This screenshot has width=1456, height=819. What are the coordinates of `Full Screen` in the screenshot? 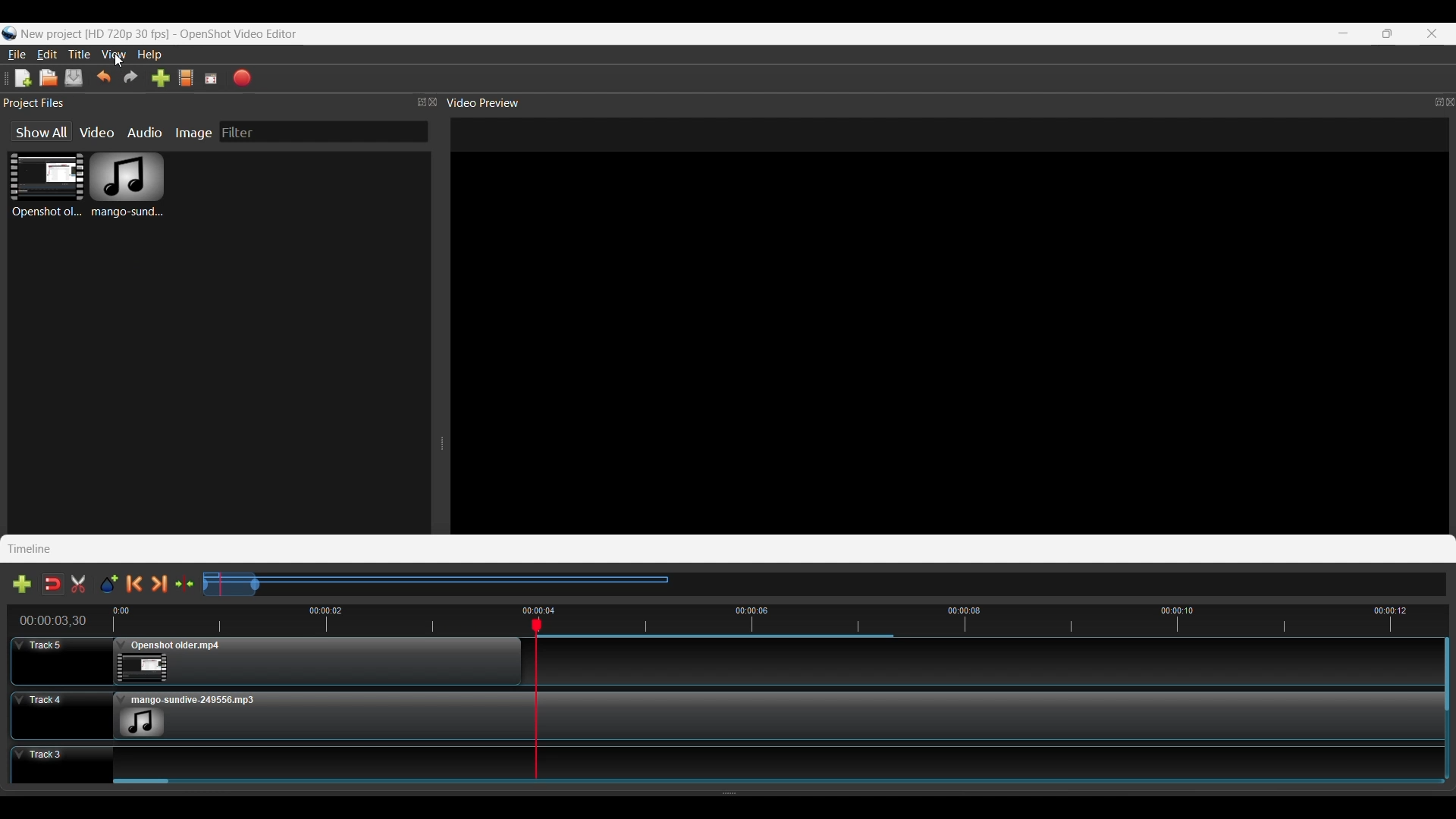 It's located at (211, 78).